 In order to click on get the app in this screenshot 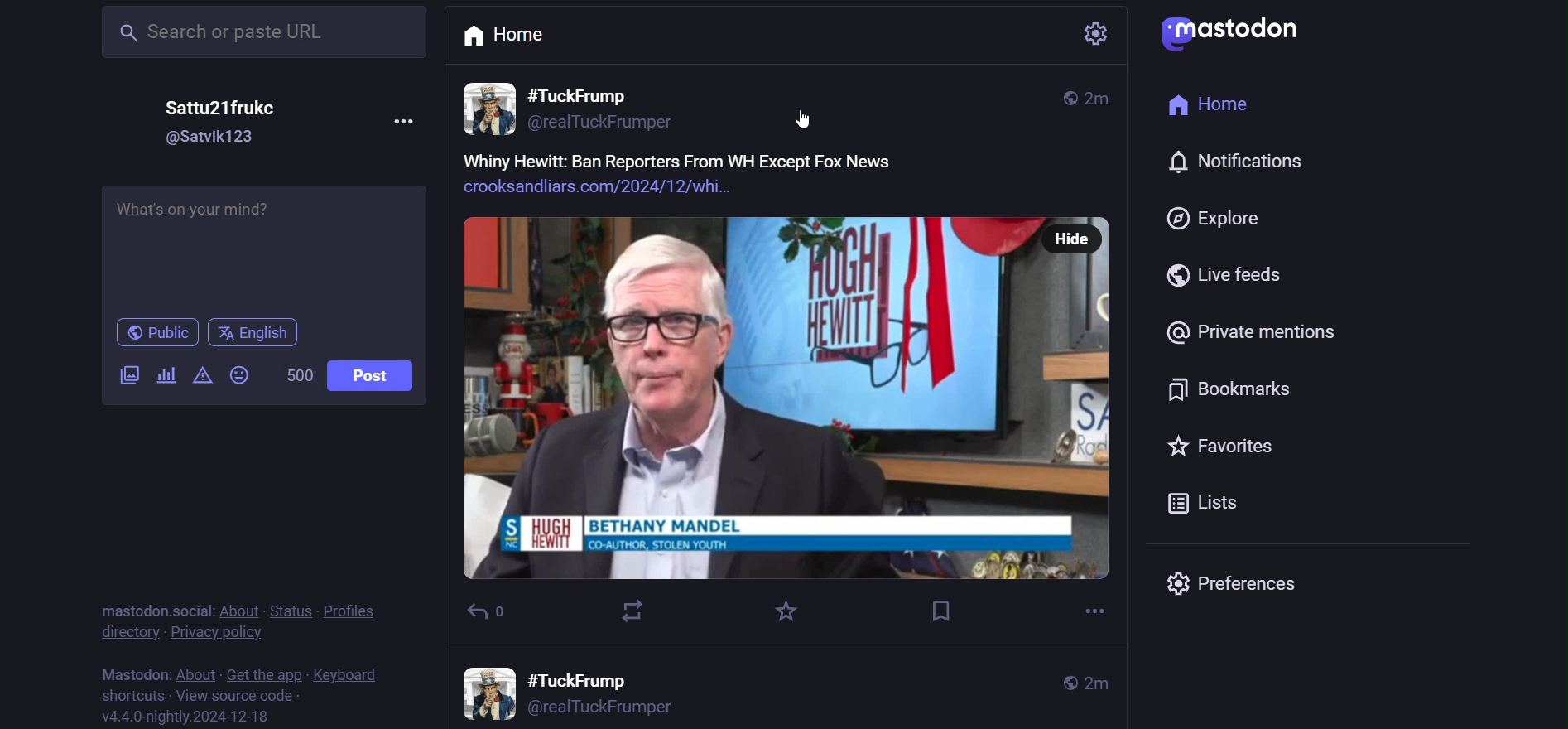, I will do `click(261, 672)`.